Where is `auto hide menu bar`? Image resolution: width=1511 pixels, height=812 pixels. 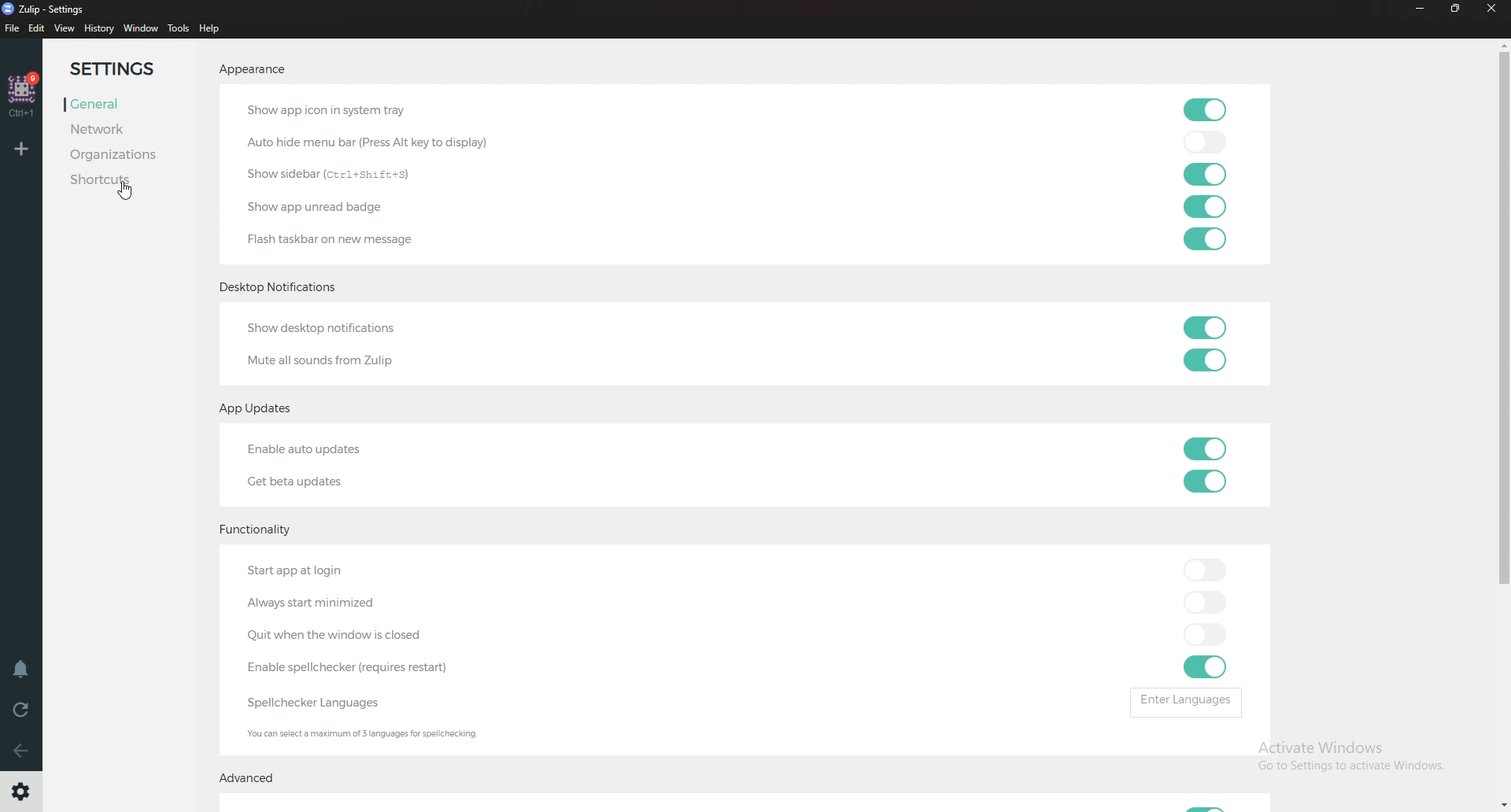 auto hide menu bar is located at coordinates (367, 145).